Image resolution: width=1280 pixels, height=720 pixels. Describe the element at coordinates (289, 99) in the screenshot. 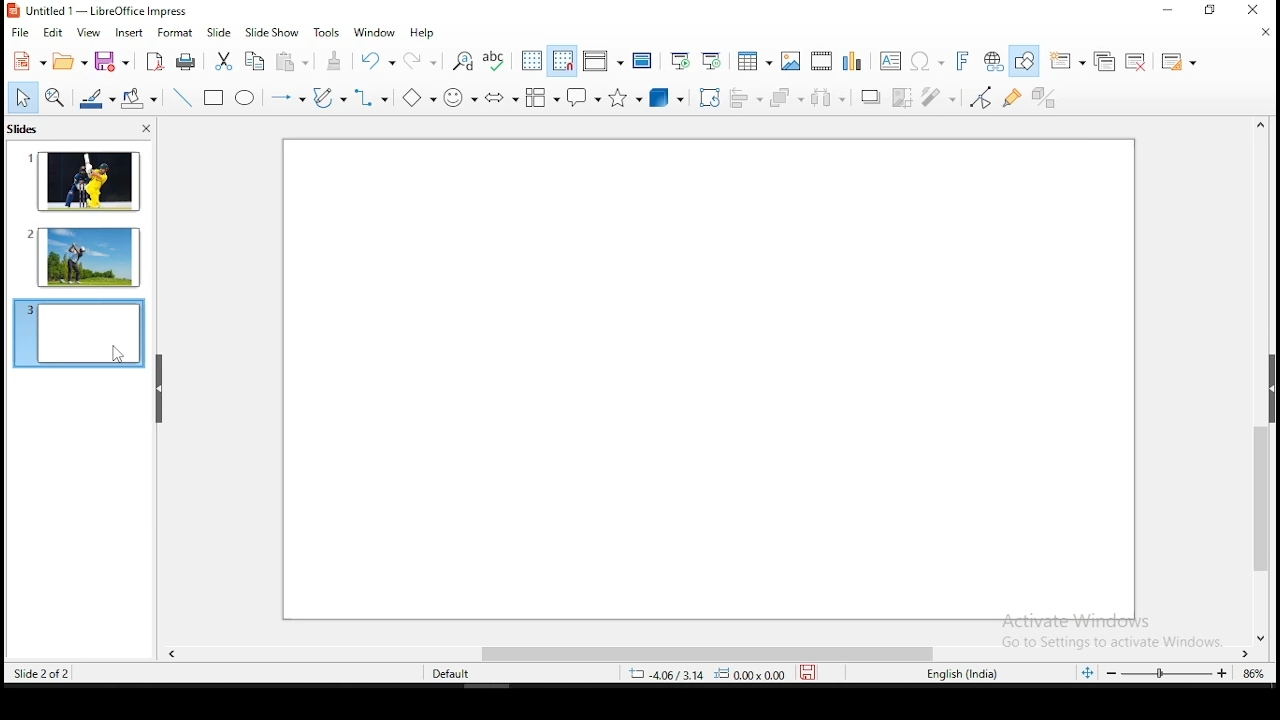

I see `lines and arrows` at that location.